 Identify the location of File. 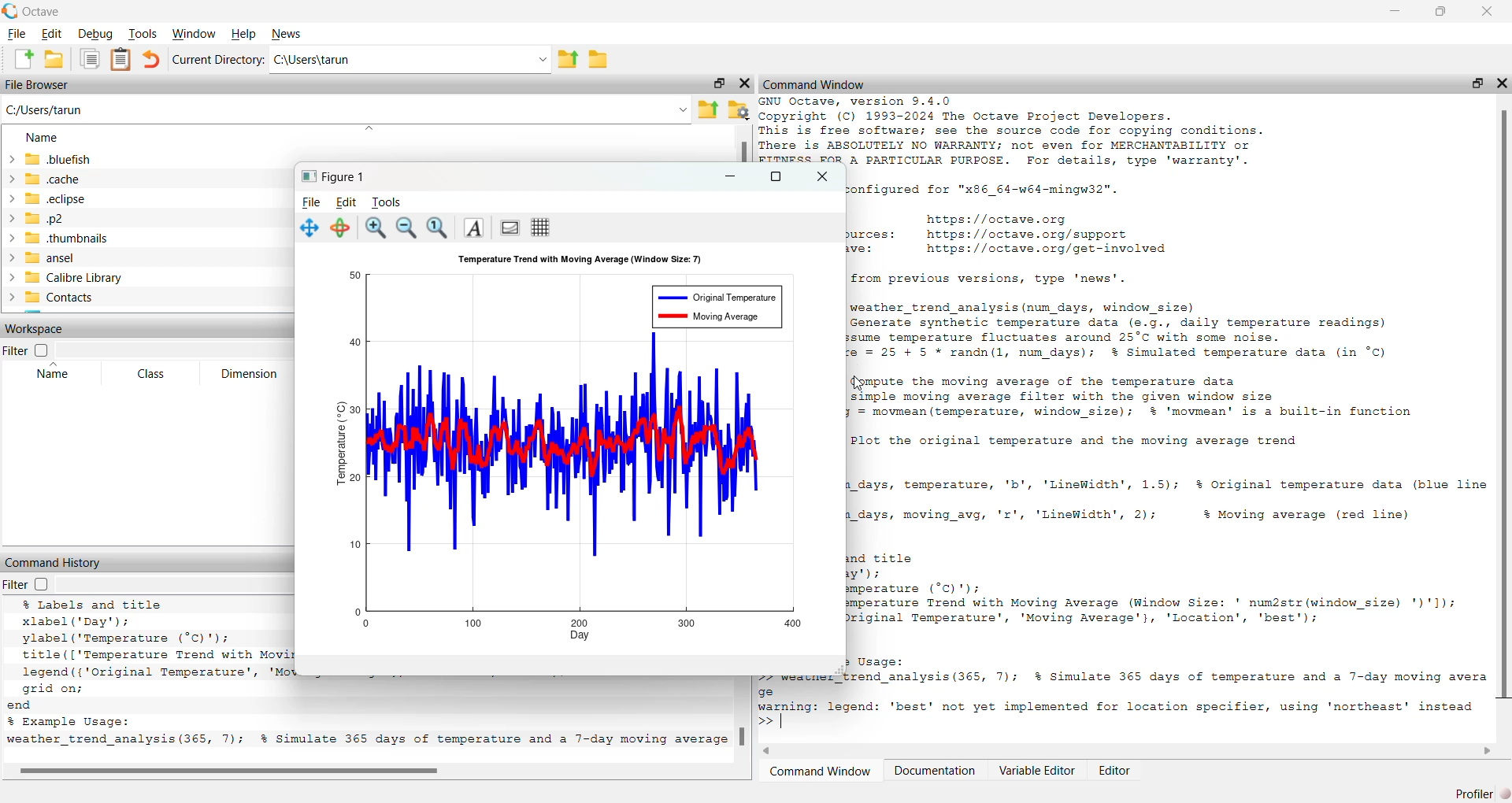
(14, 34).